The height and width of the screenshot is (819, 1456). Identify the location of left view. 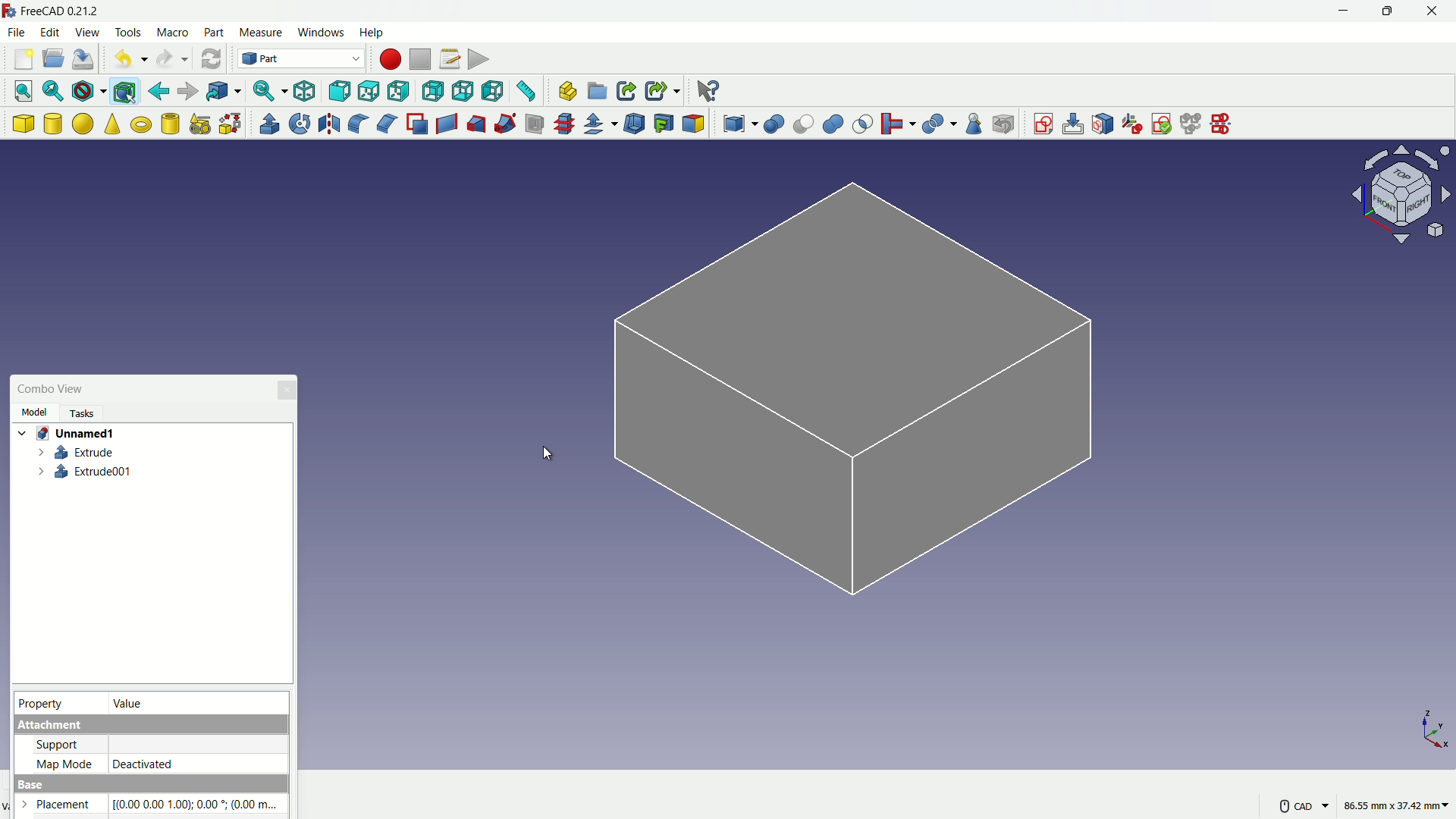
(492, 90).